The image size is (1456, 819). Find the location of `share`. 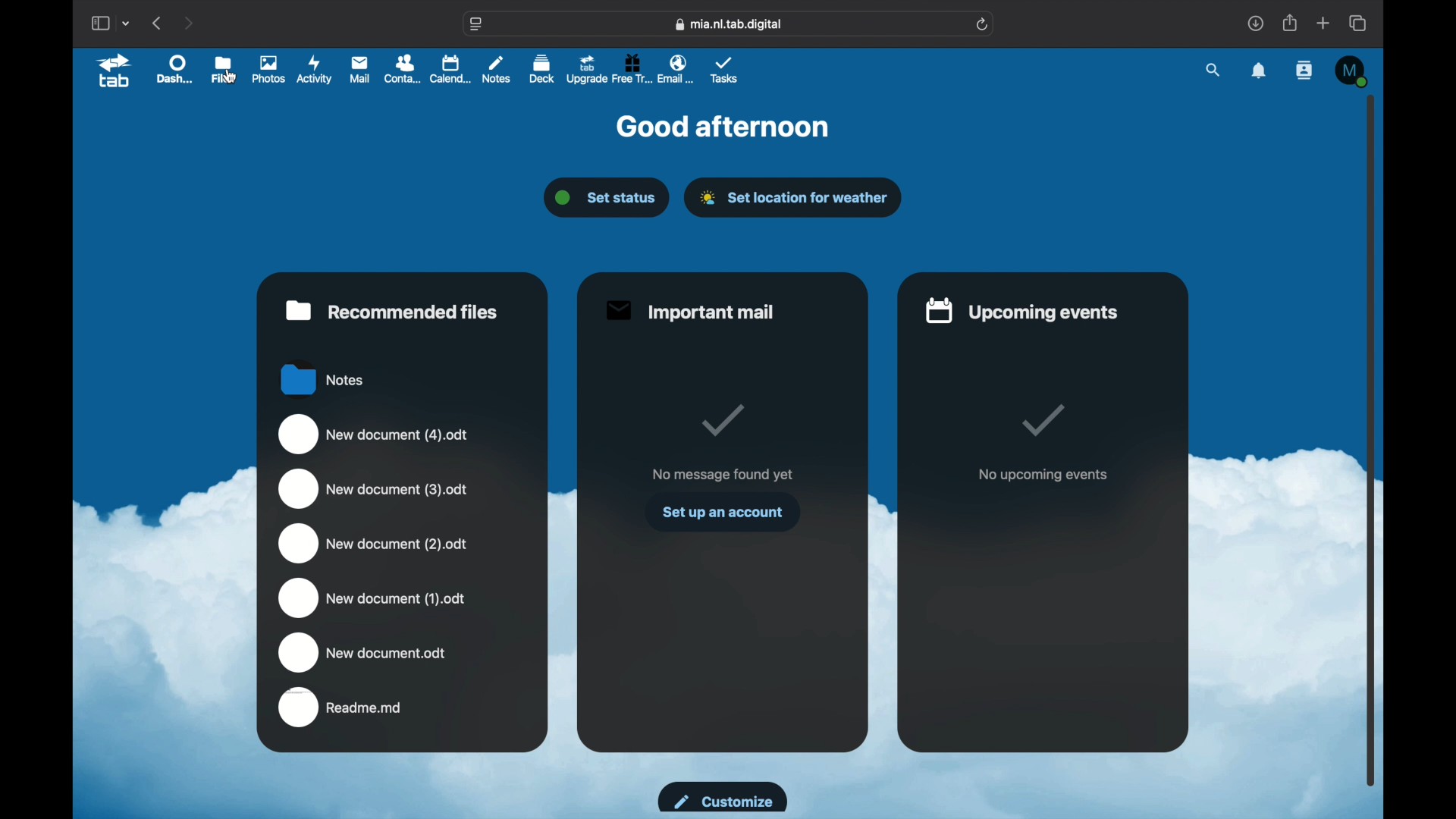

share is located at coordinates (1288, 23).